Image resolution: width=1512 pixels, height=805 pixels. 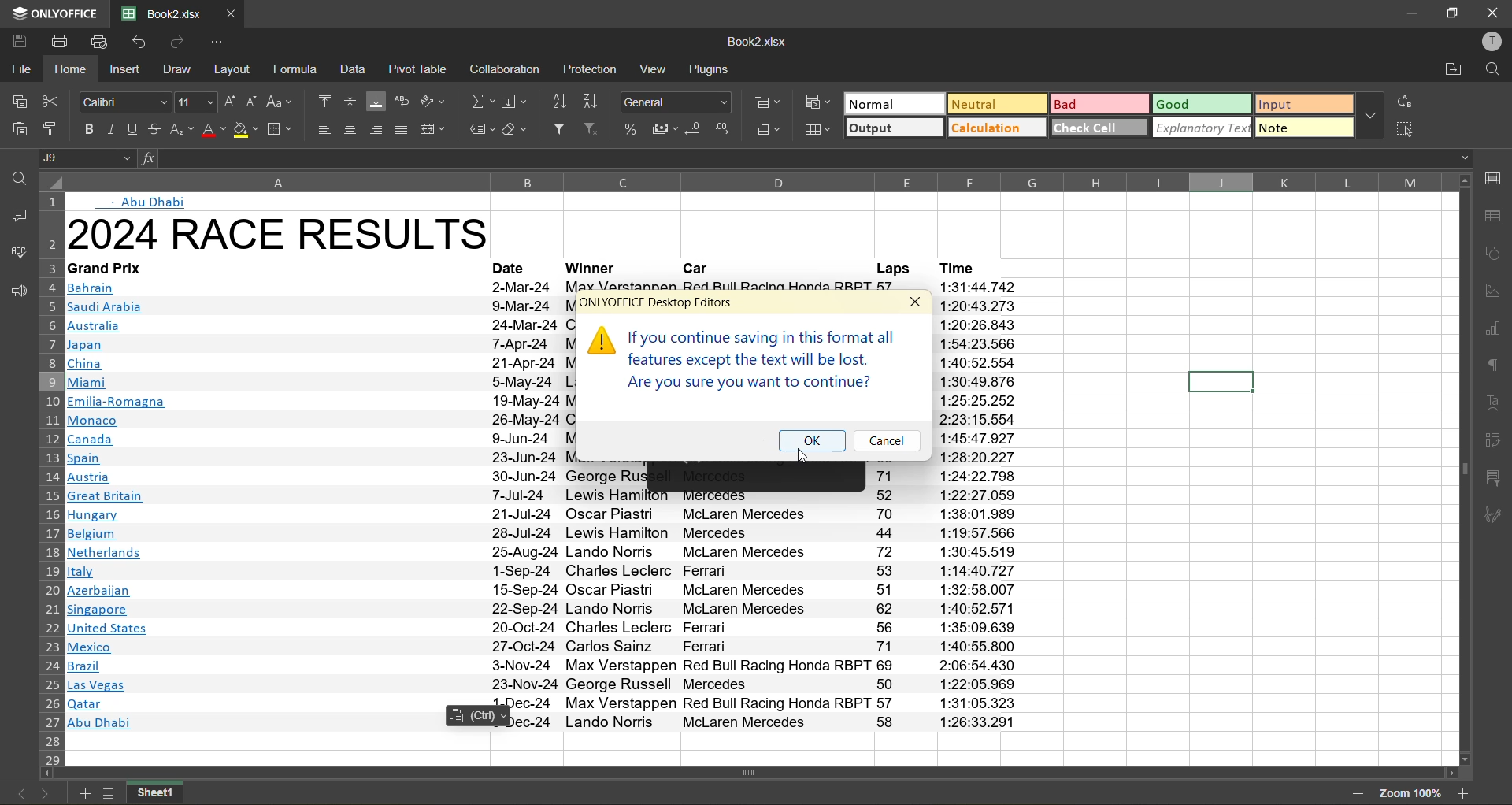 What do you see at coordinates (235, 71) in the screenshot?
I see `layout` at bounding box center [235, 71].